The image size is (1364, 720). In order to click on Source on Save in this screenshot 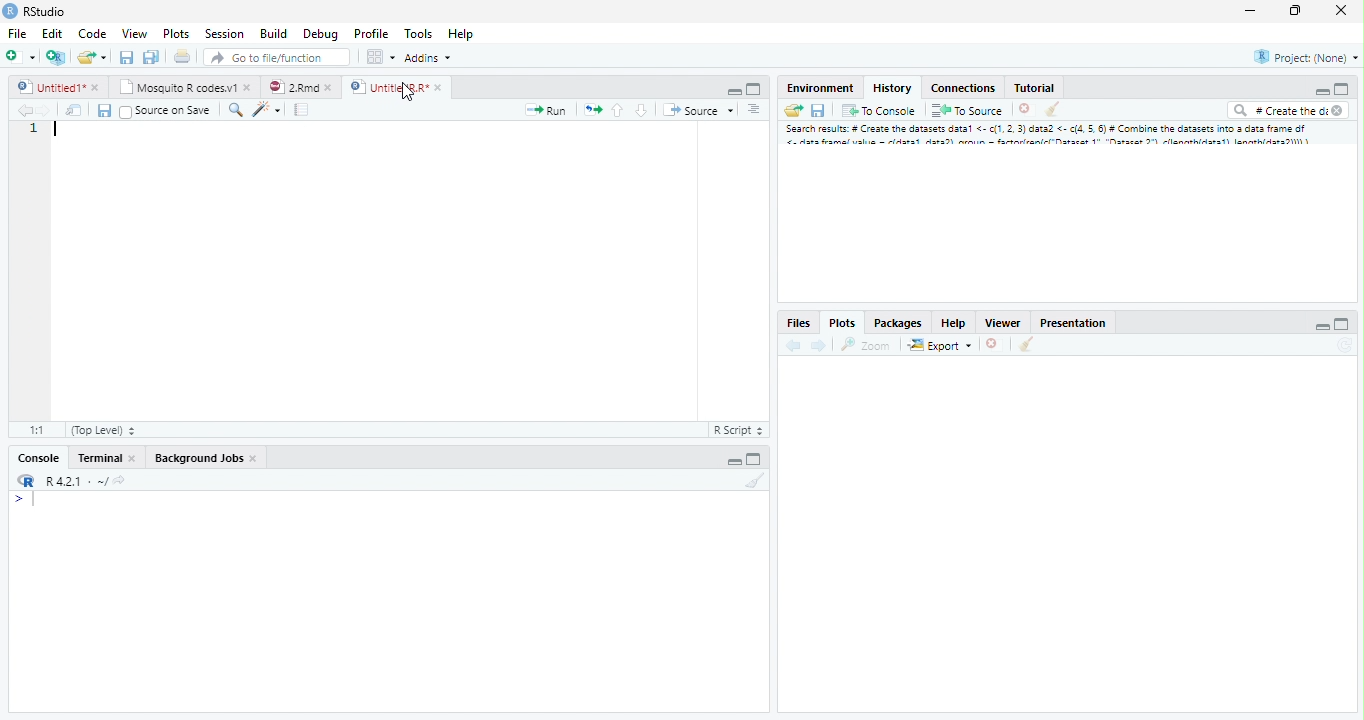, I will do `click(165, 112)`.